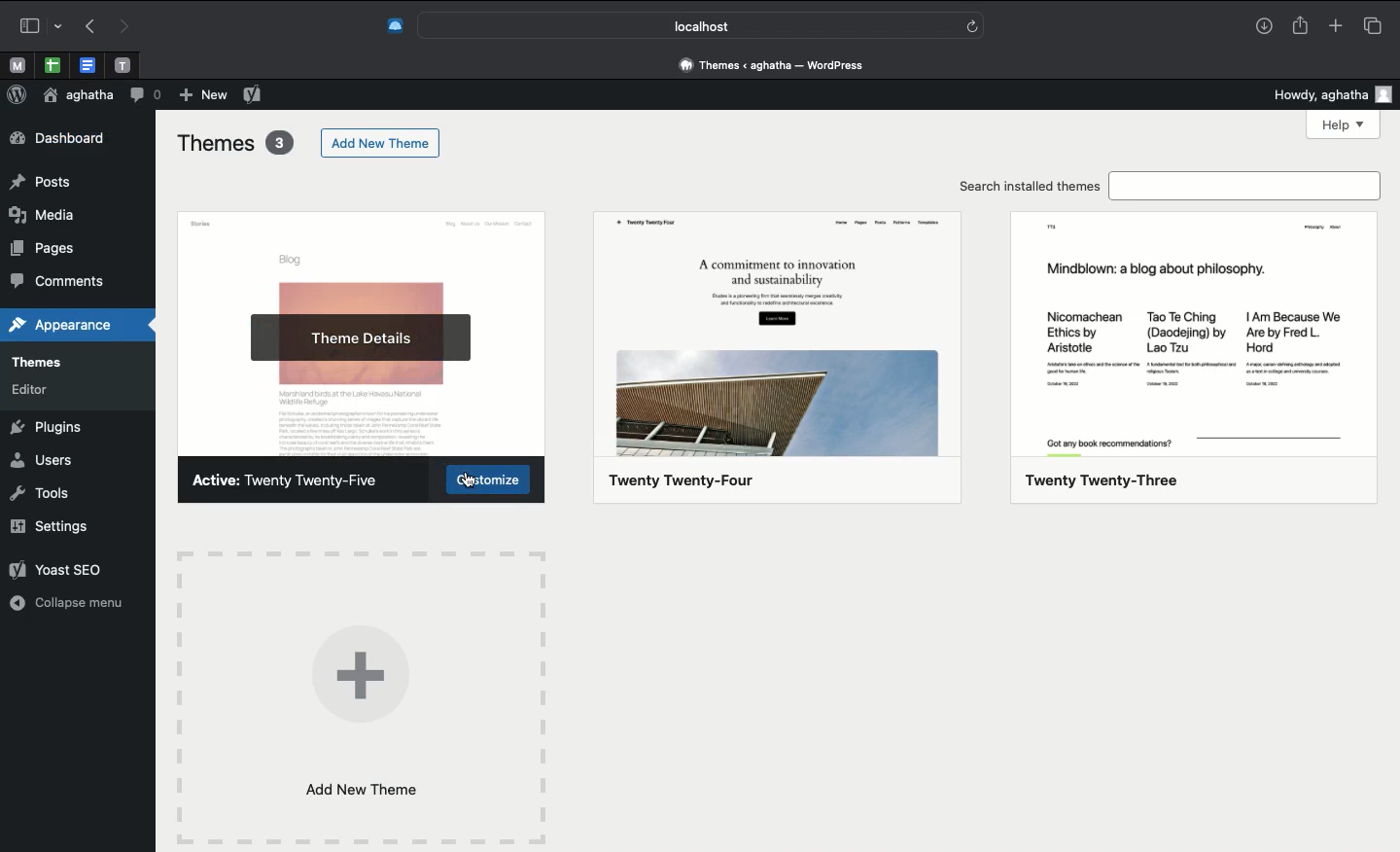  I want to click on Extensions, so click(393, 25).